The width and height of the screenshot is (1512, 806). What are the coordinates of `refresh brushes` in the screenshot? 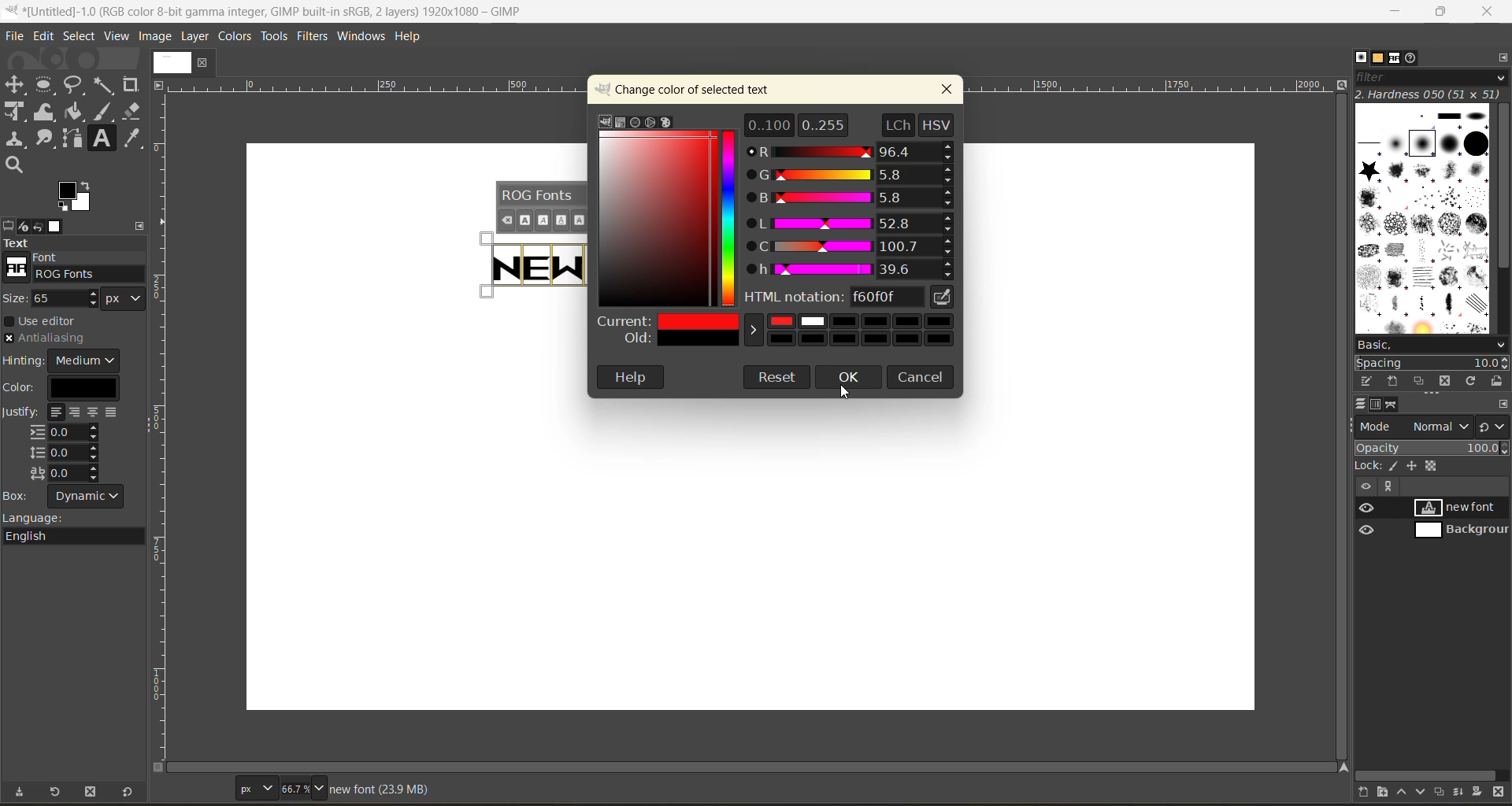 It's located at (1473, 383).